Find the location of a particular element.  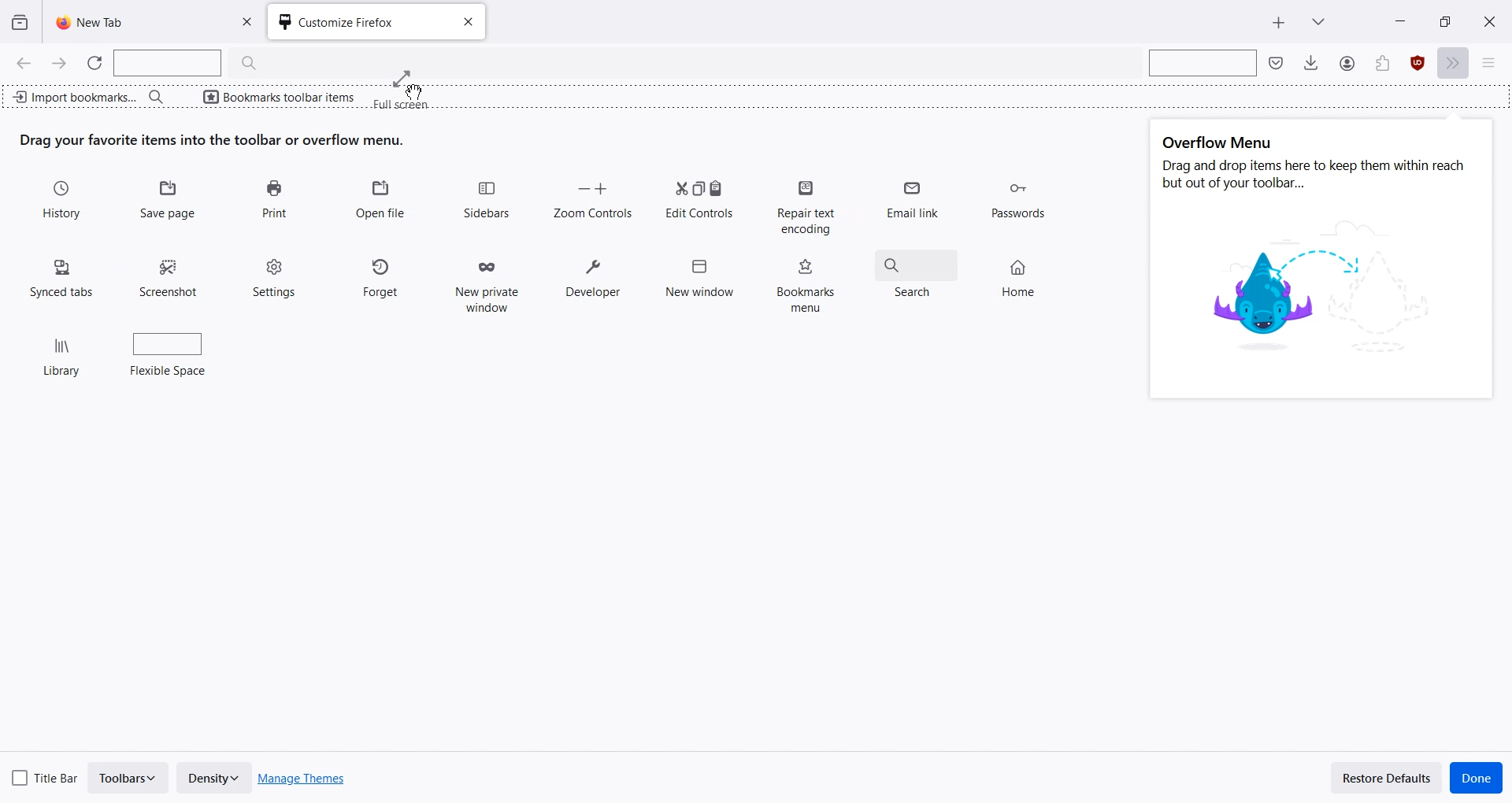

Synced tabs is located at coordinates (62, 276).